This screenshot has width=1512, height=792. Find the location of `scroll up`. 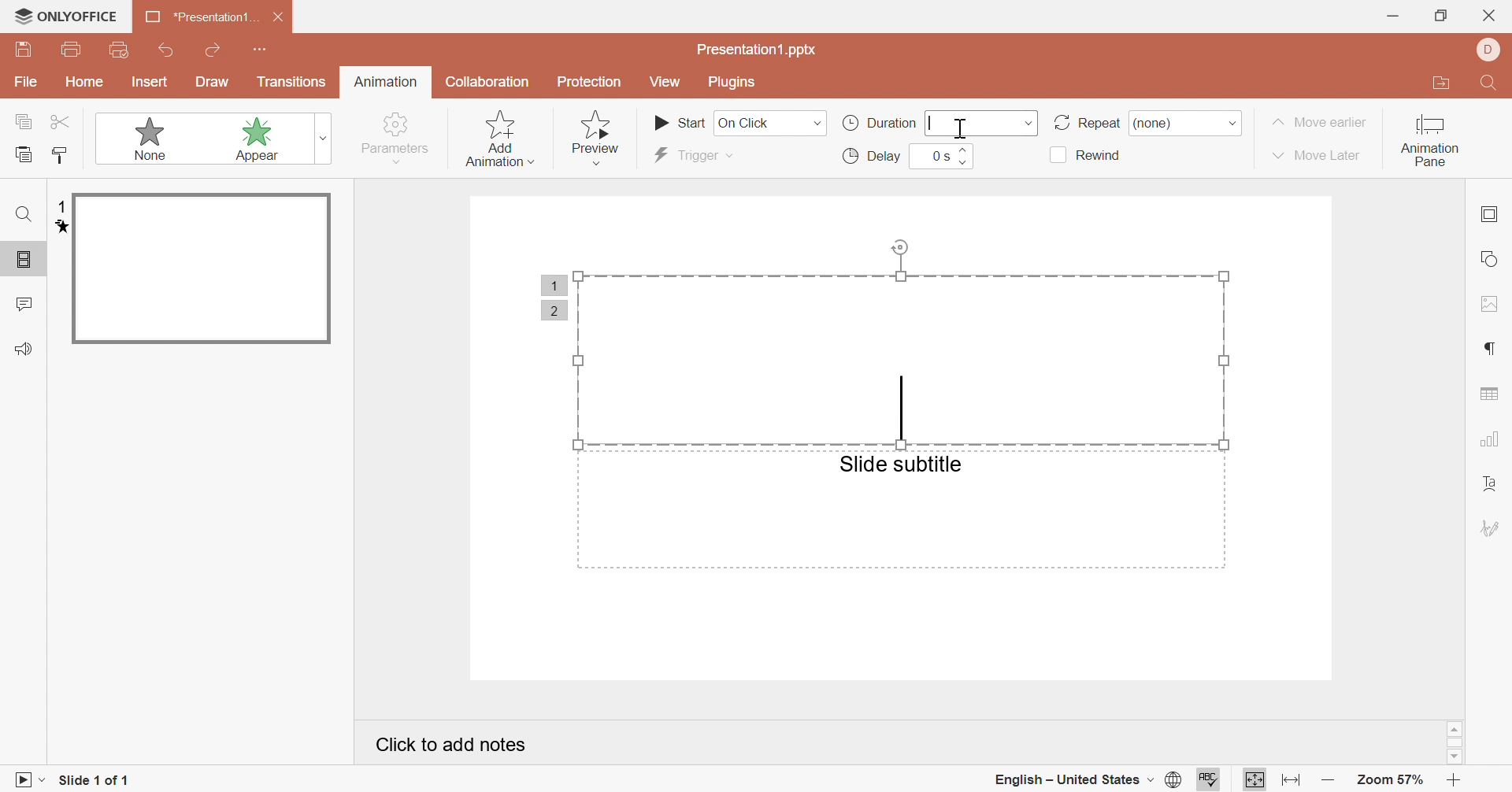

scroll up is located at coordinates (1455, 729).